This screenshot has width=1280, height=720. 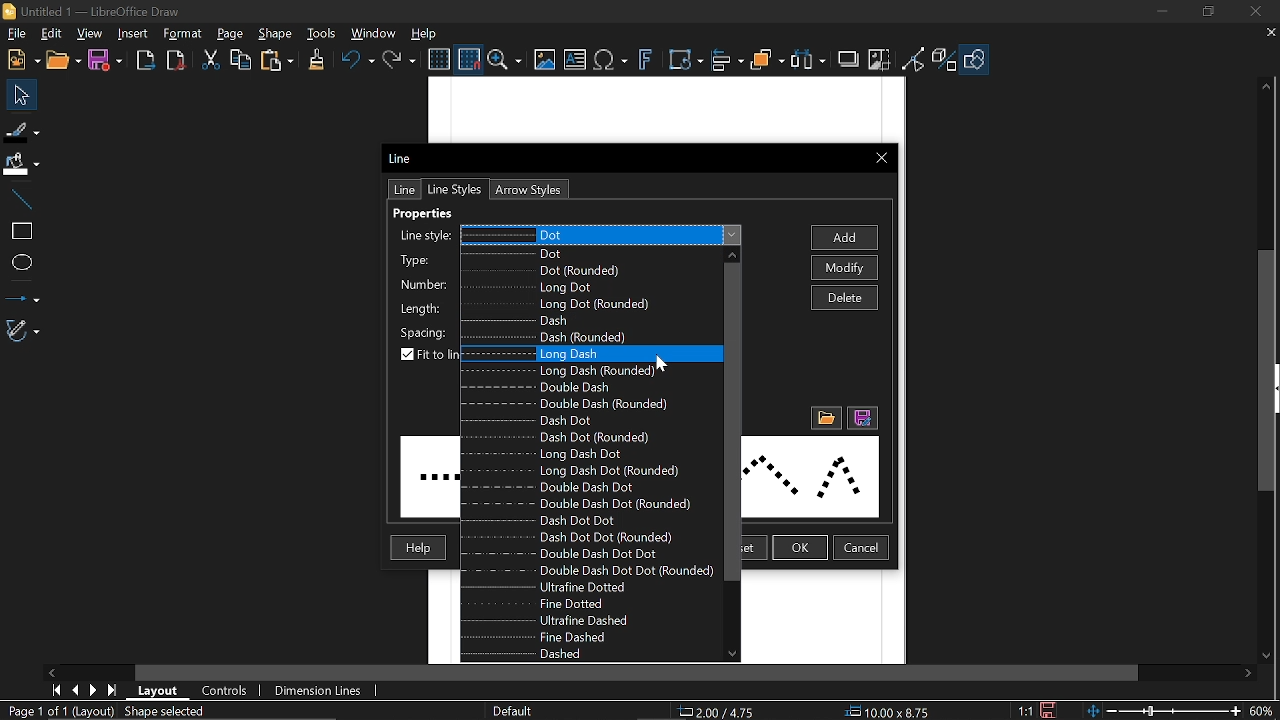 I want to click on Insert, so click(x=134, y=35).